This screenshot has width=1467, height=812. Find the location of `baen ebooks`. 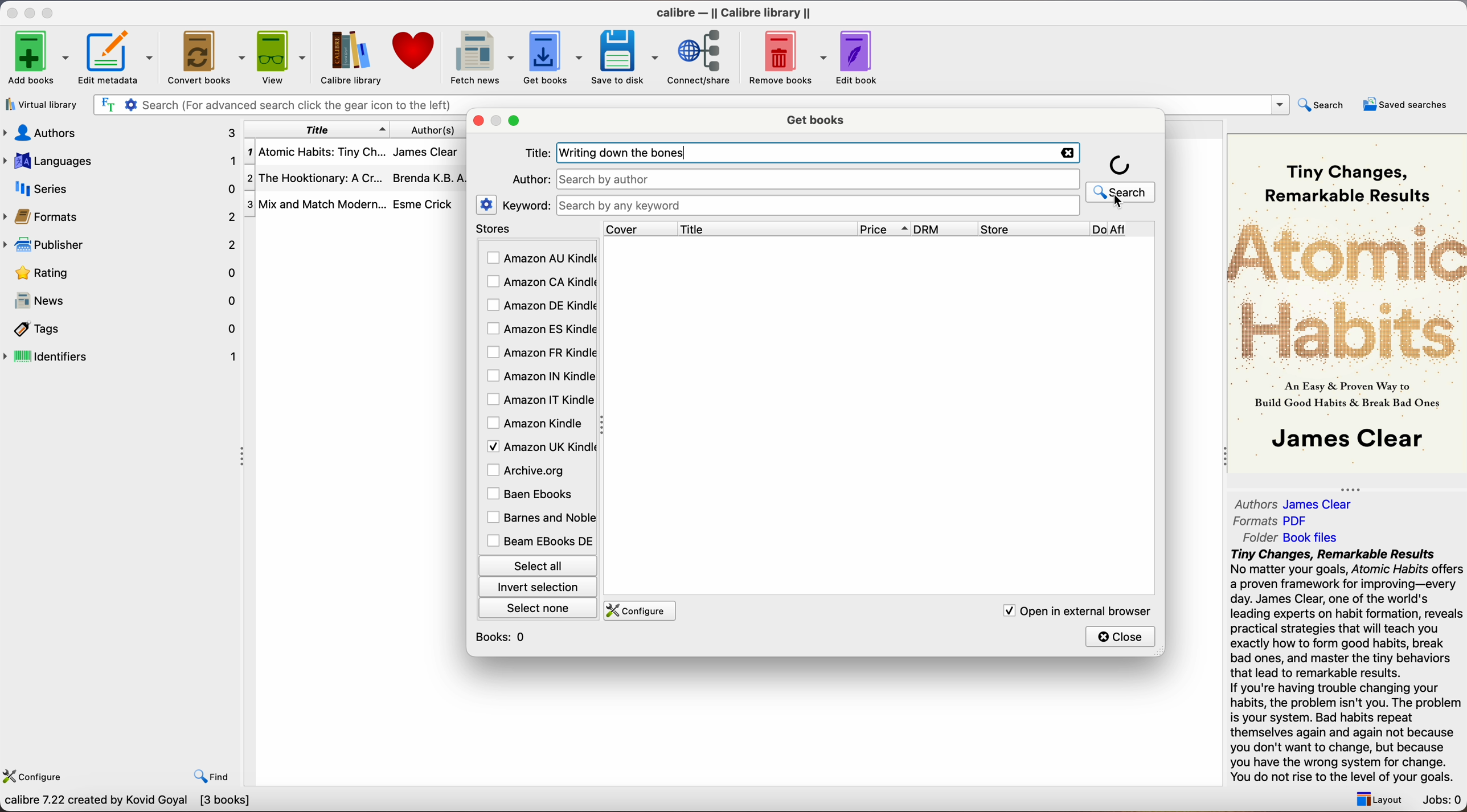

baen ebooks is located at coordinates (532, 495).